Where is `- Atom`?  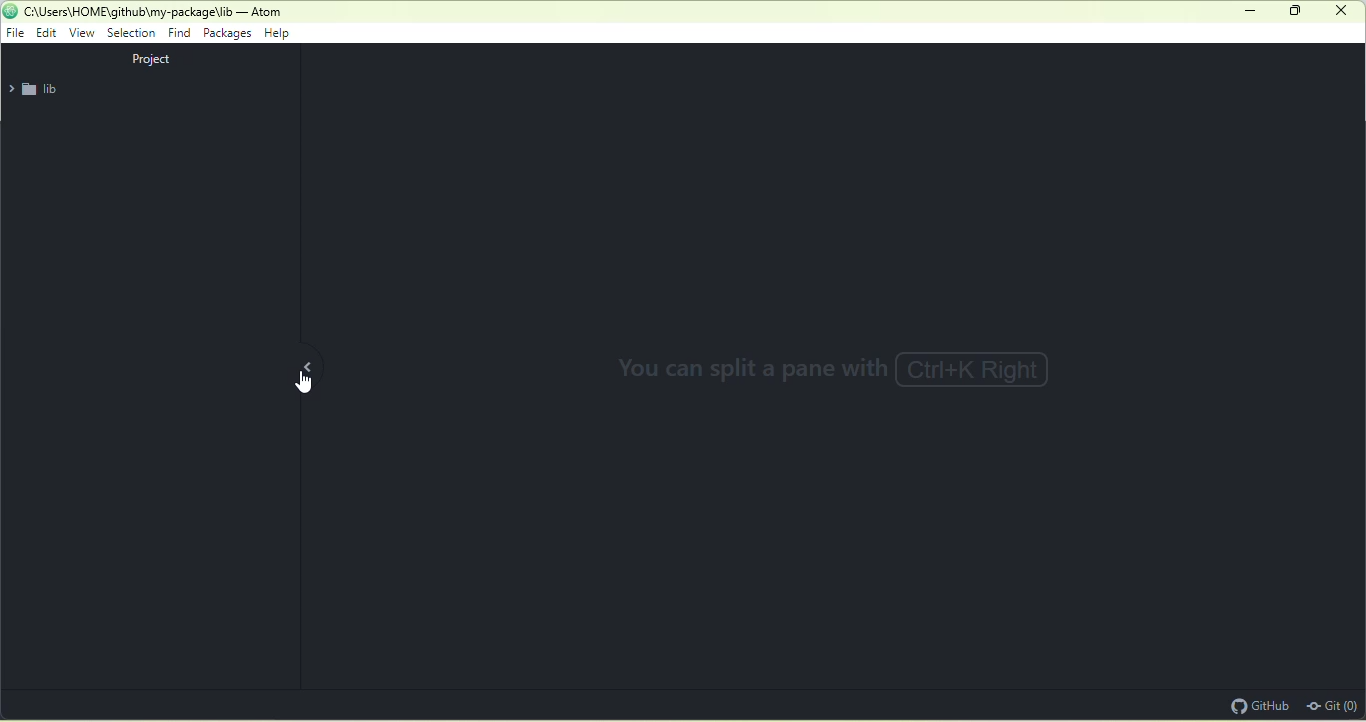
- Atom is located at coordinates (262, 12).